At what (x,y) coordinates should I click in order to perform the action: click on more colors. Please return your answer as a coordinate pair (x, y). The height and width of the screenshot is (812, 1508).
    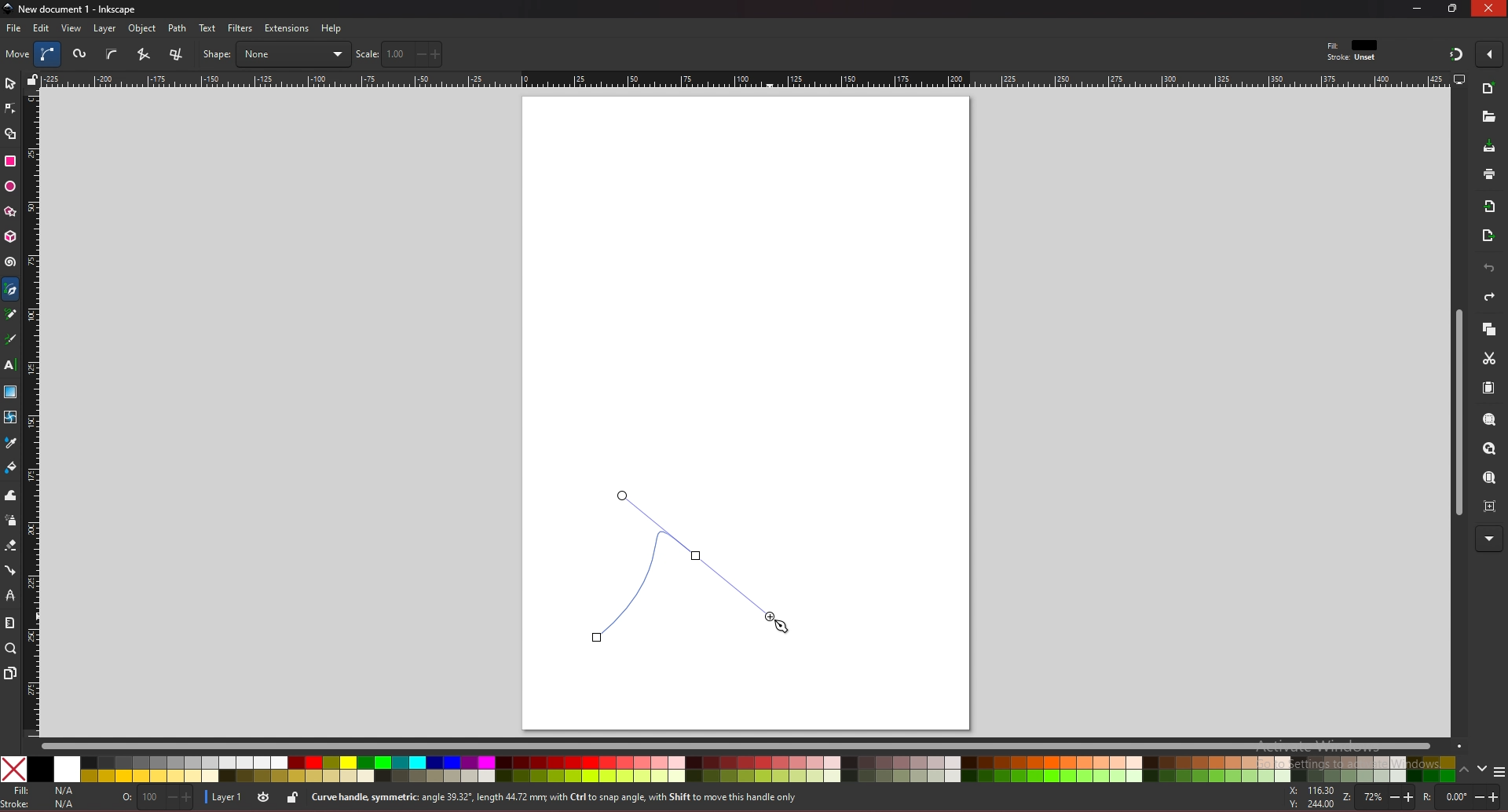
    Looking at the image, I should click on (1499, 773).